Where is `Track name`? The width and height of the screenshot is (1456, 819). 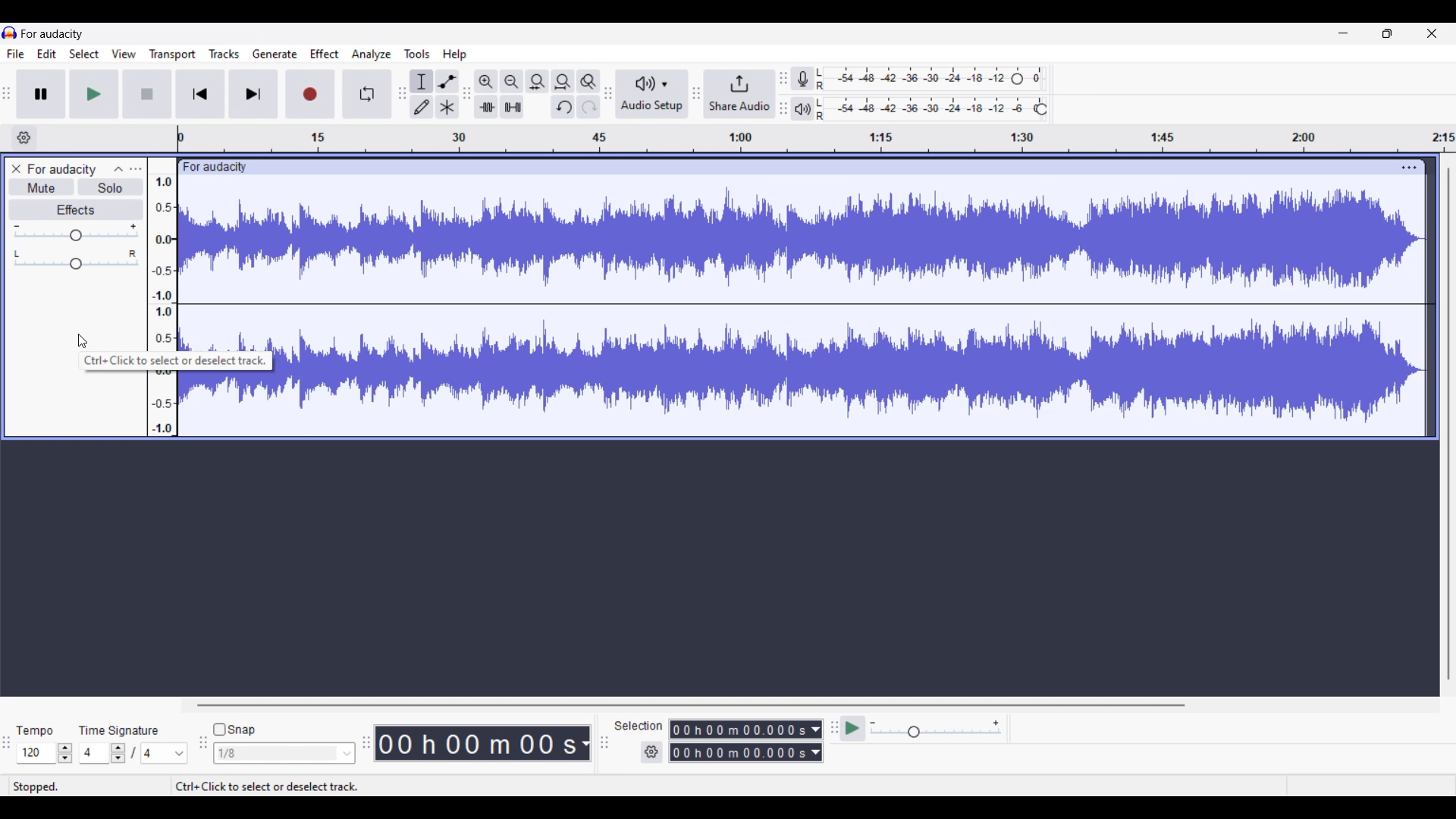 Track name is located at coordinates (62, 169).